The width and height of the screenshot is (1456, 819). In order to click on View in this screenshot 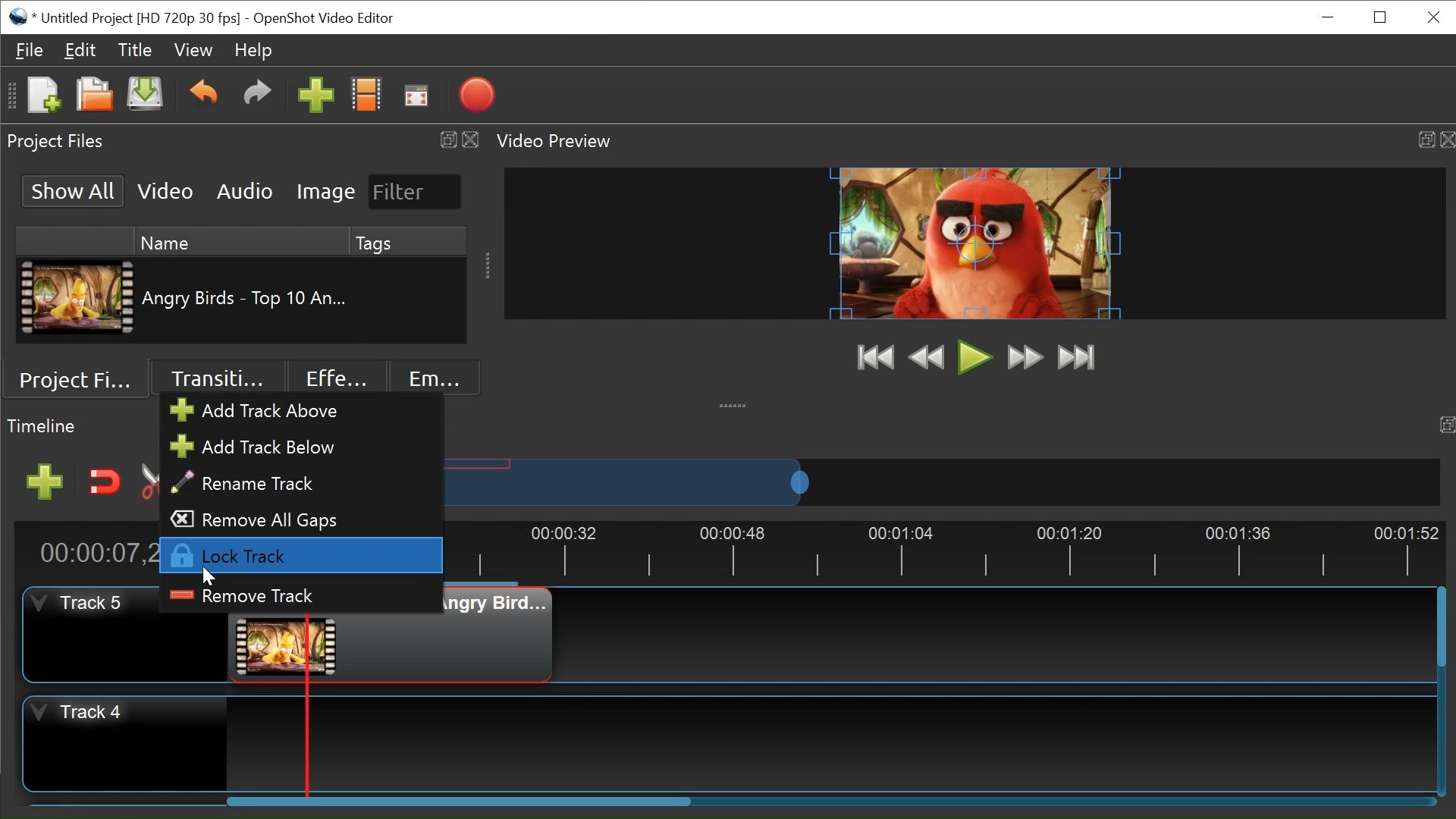, I will do `click(193, 52)`.